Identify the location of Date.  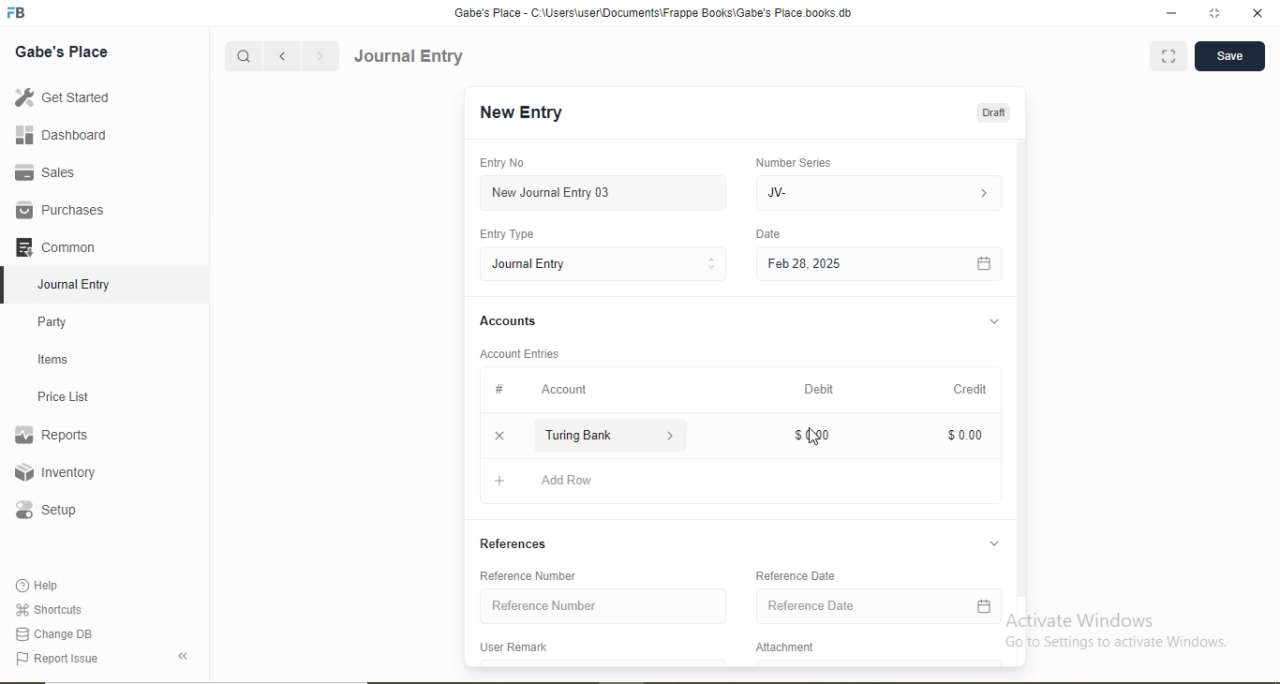
(767, 233).